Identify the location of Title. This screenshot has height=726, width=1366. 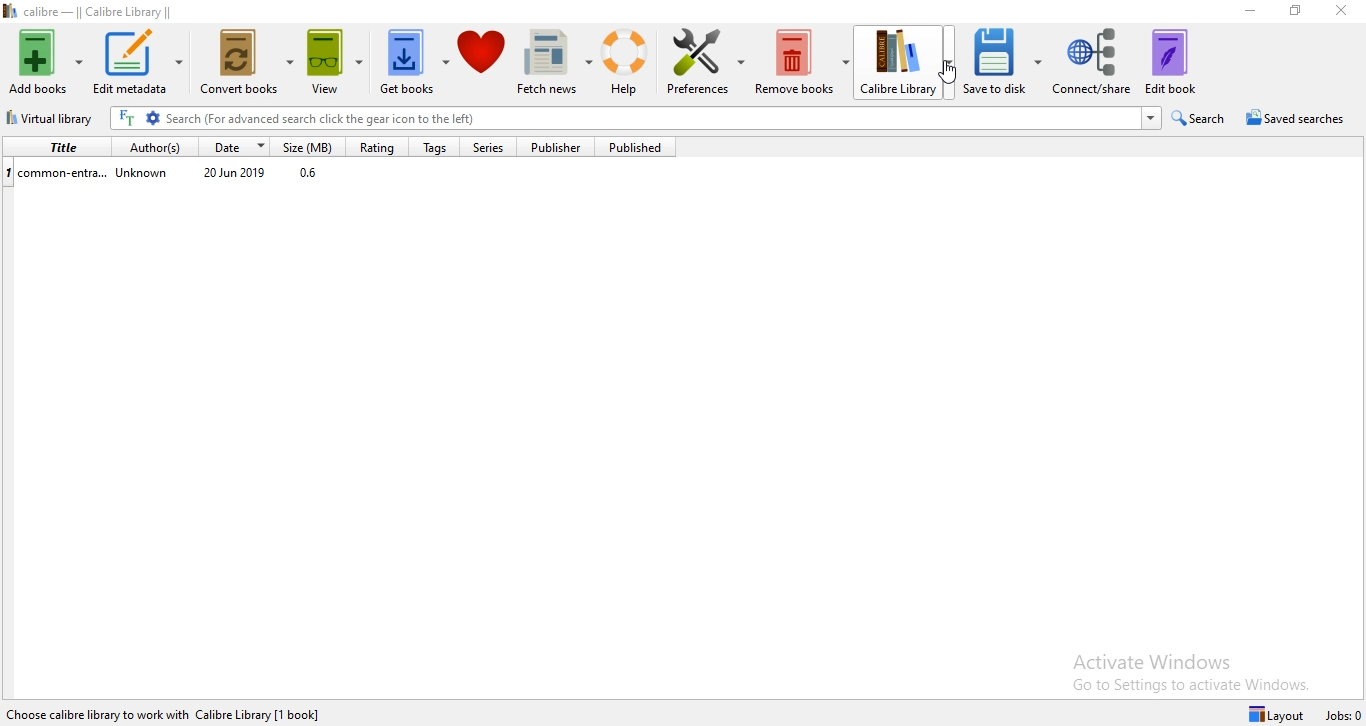
(55, 146).